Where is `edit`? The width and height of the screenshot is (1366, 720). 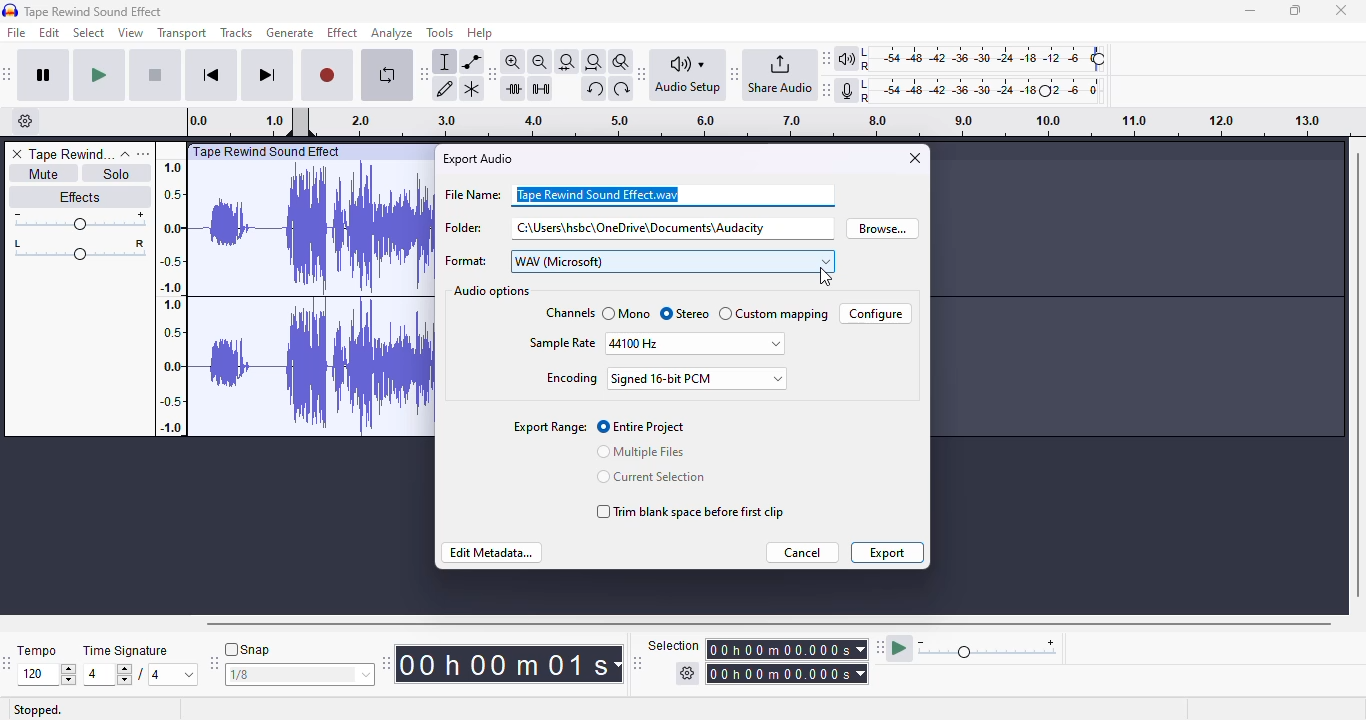 edit is located at coordinates (50, 32).